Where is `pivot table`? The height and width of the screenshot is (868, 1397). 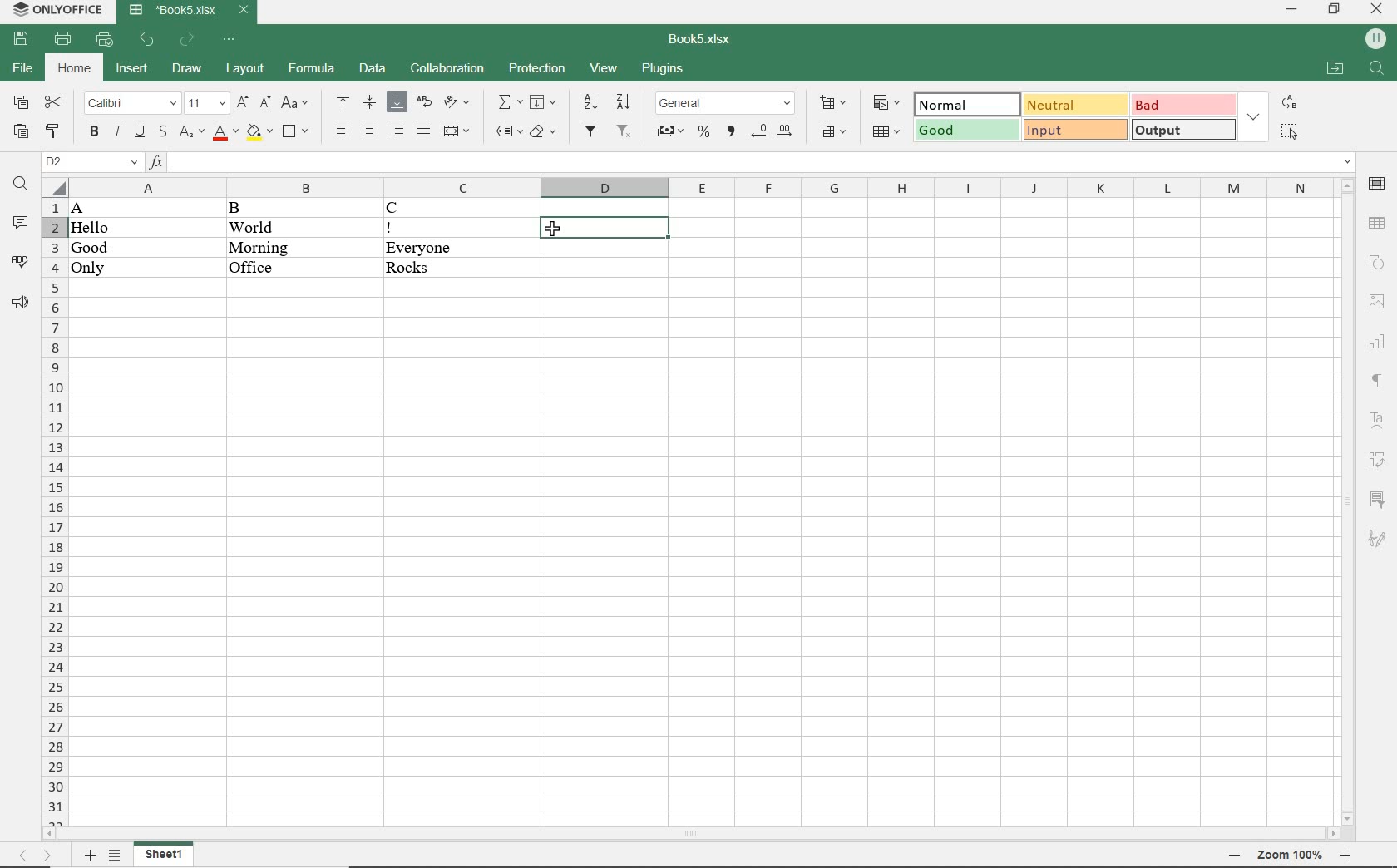 pivot table is located at coordinates (1378, 461).